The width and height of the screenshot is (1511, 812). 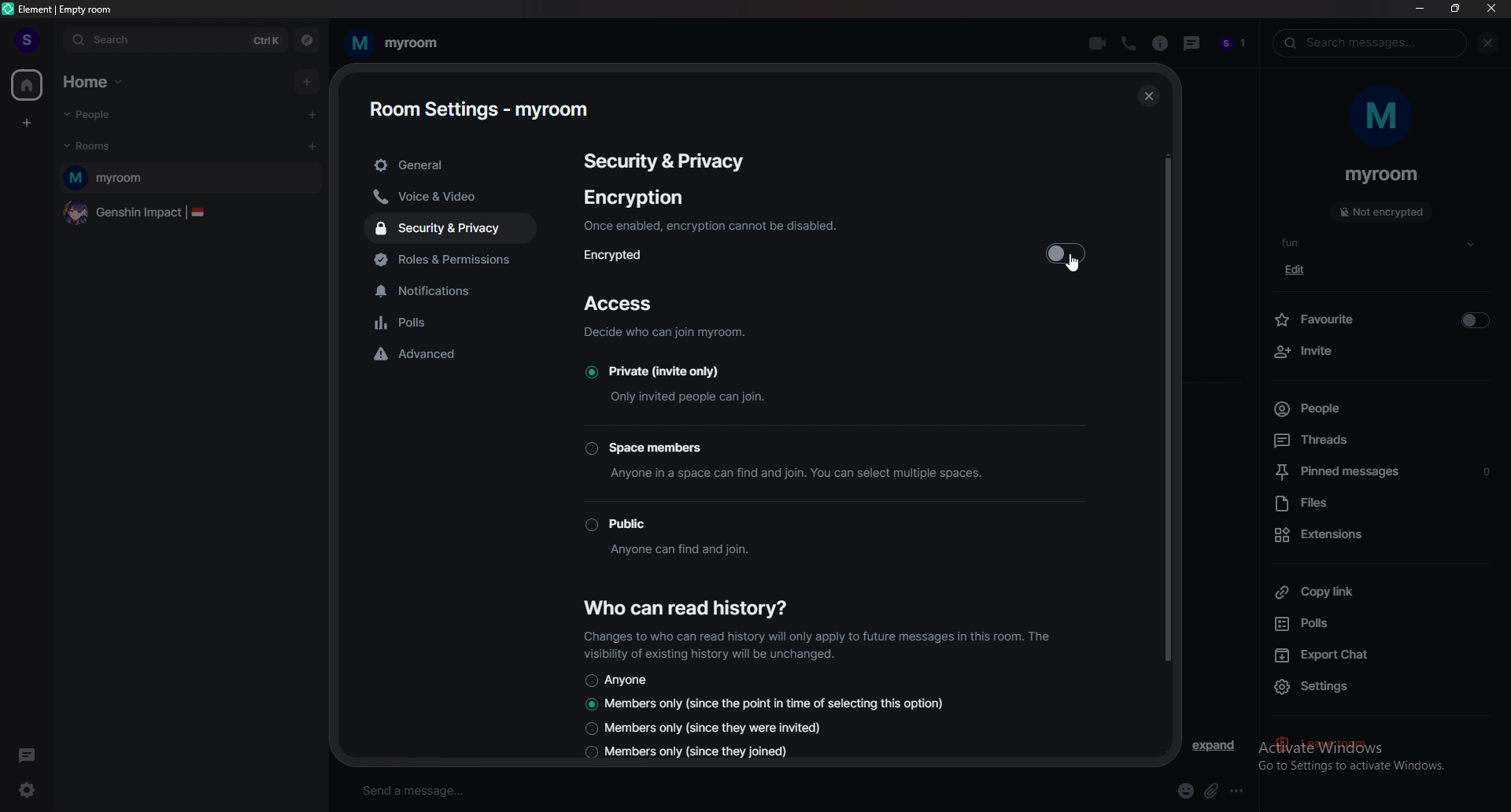 What do you see at coordinates (633, 197) in the screenshot?
I see `encryption` at bounding box center [633, 197].